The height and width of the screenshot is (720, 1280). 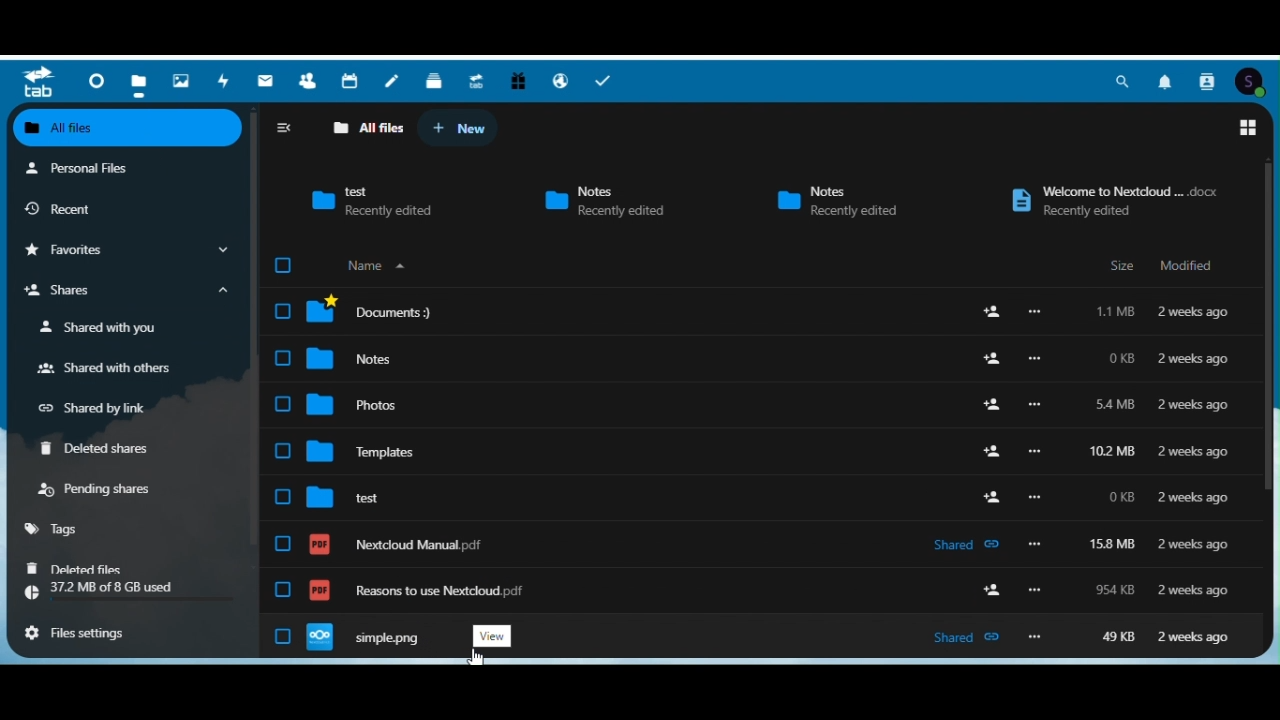 I want to click on Tags, so click(x=68, y=529).